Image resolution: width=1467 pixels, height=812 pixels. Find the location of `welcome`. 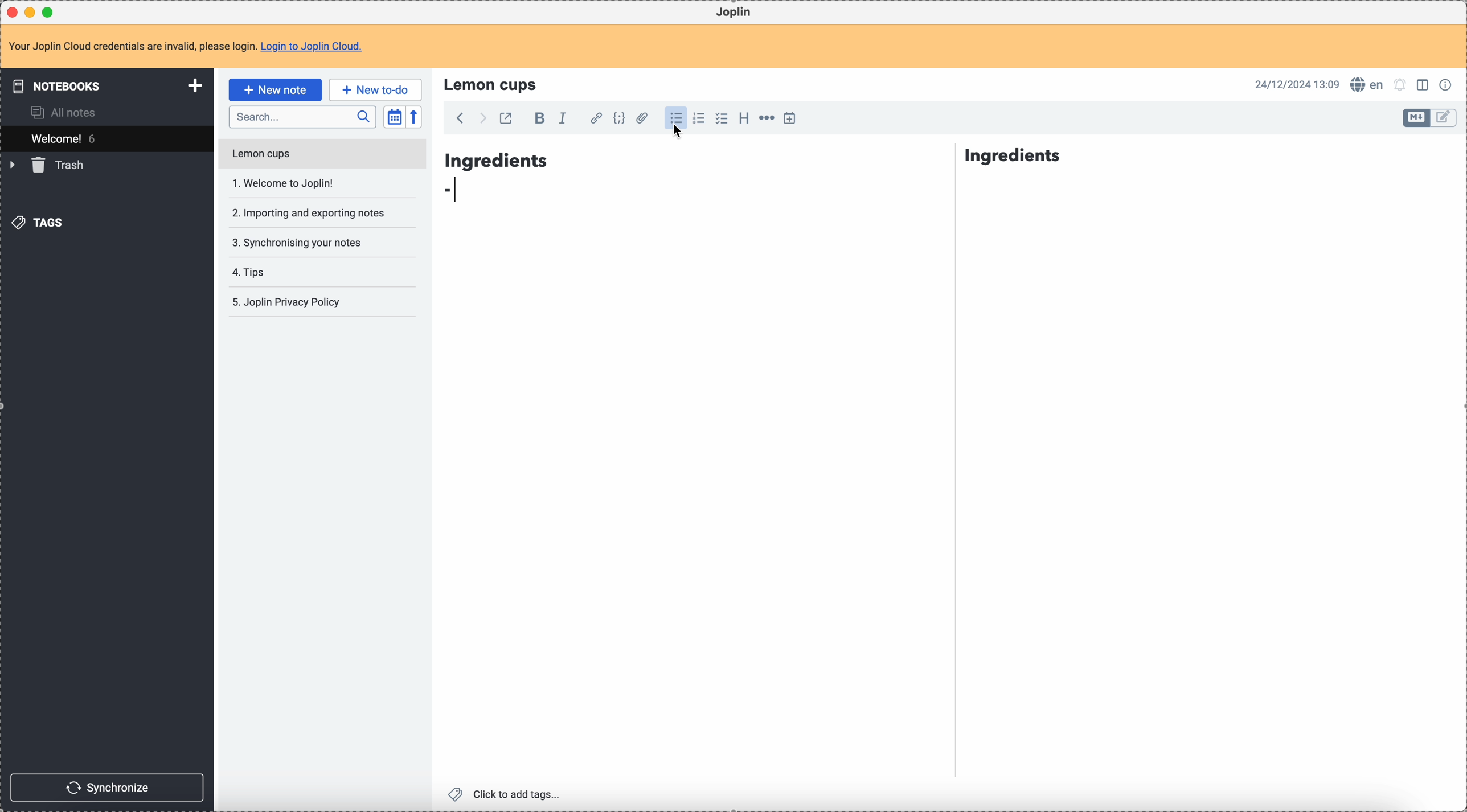

welcome is located at coordinates (106, 138).